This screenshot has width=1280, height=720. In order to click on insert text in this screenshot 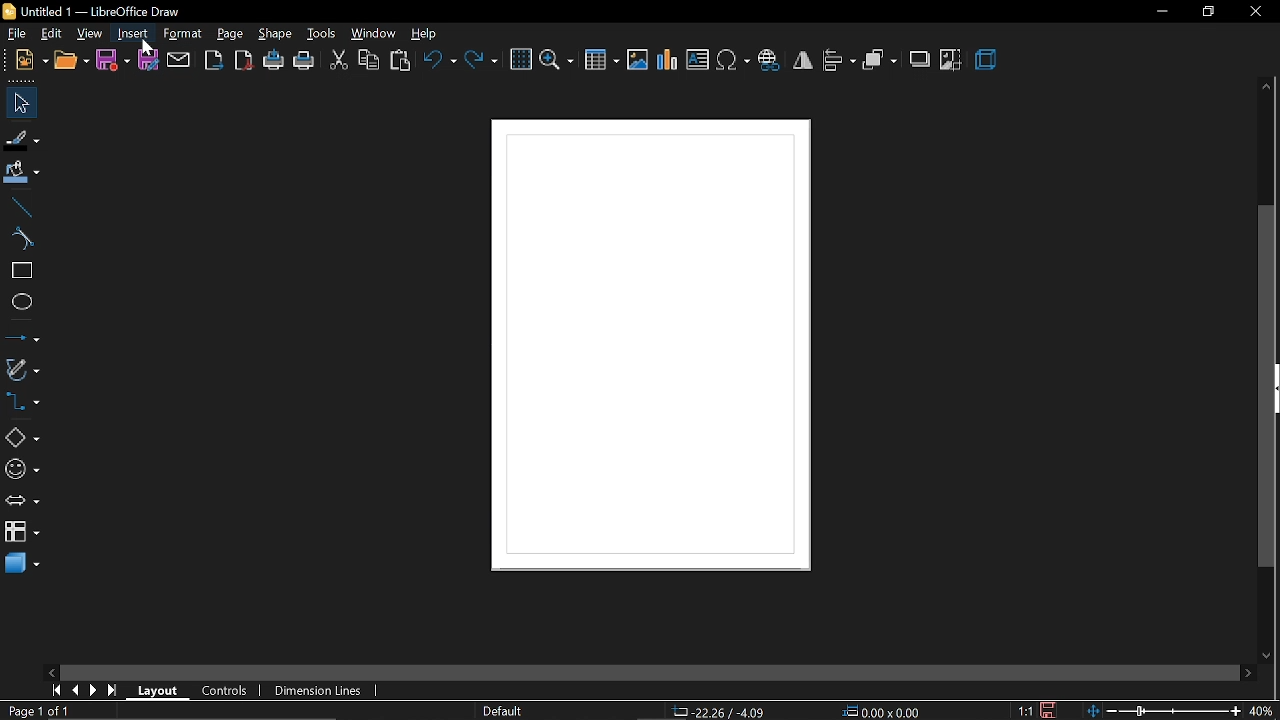, I will do `click(699, 60)`.